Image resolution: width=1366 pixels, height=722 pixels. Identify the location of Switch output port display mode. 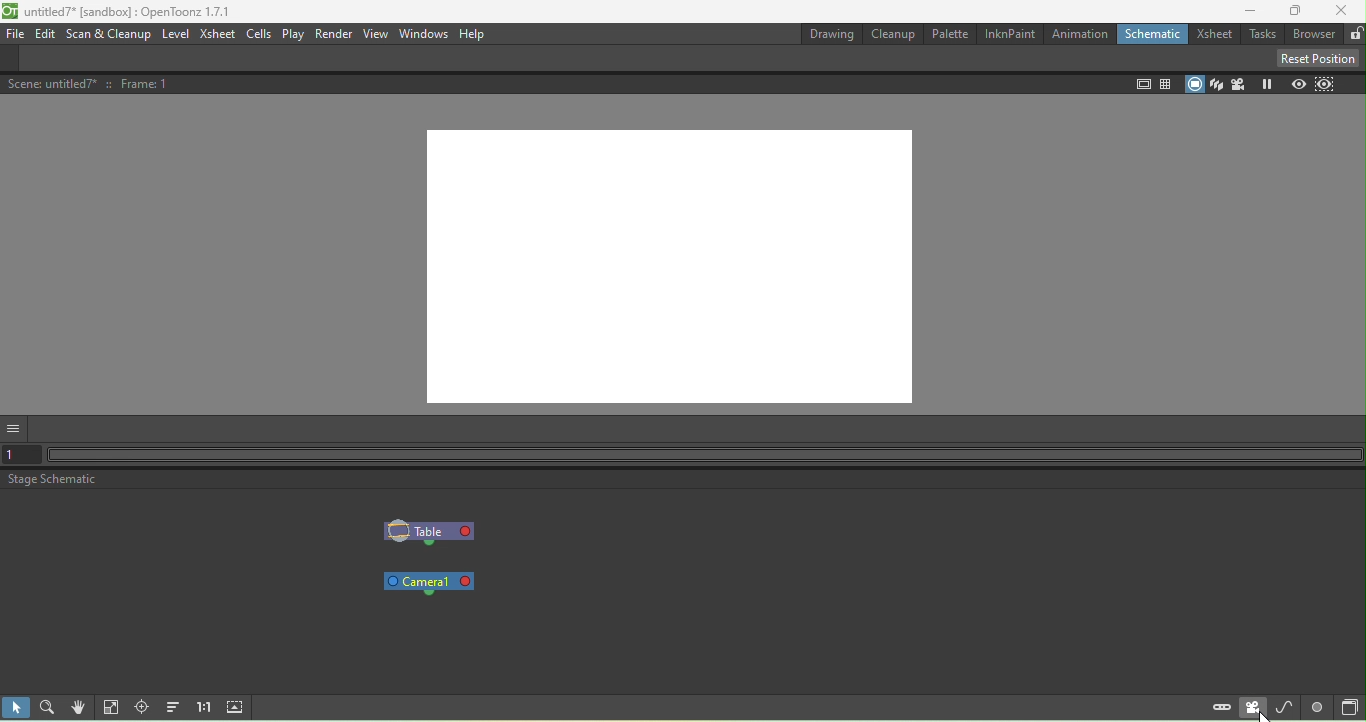
(1316, 707).